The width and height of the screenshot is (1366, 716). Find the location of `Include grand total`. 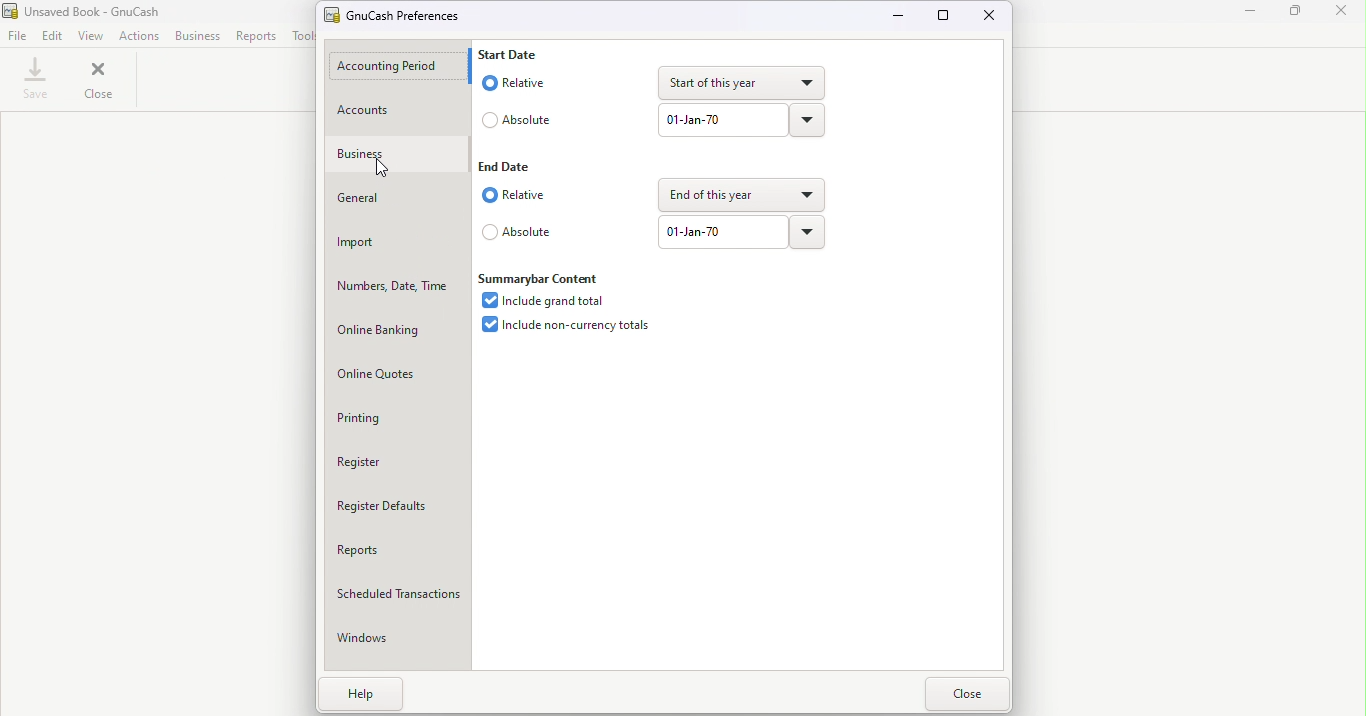

Include grand total is located at coordinates (555, 302).